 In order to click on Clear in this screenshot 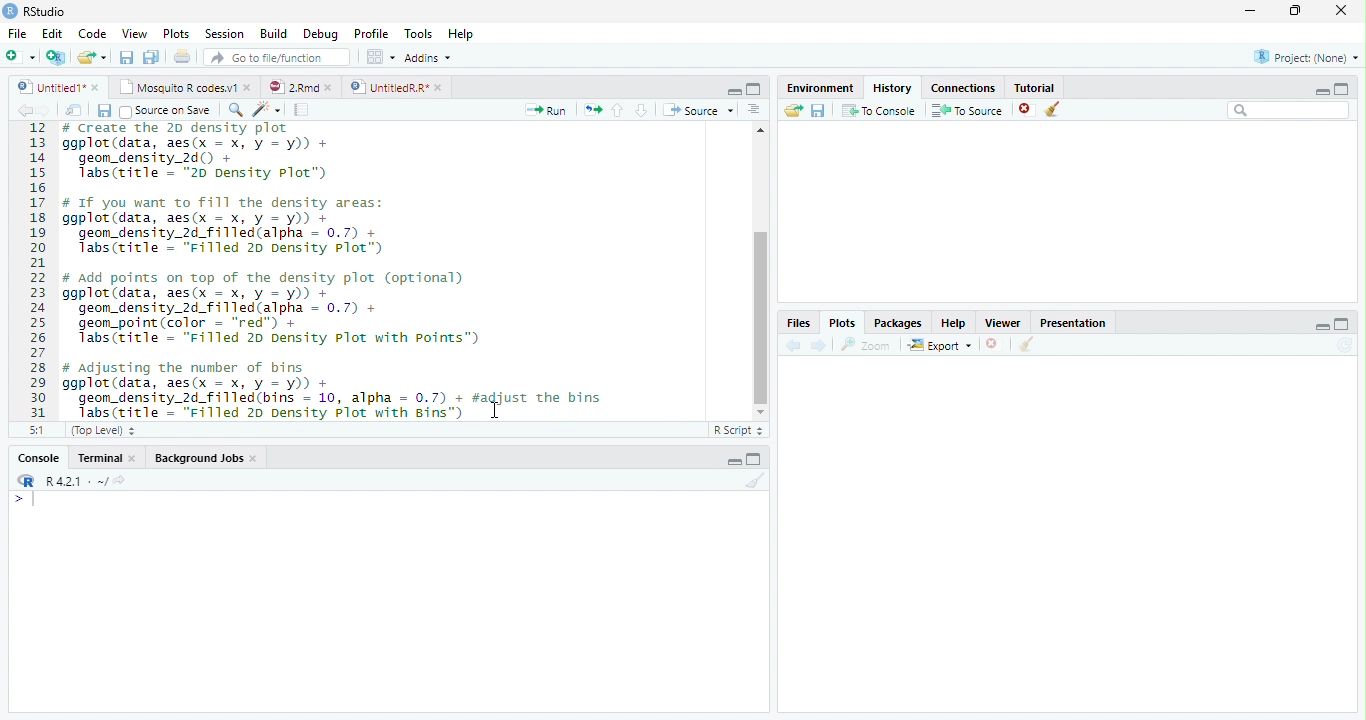, I will do `click(756, 480)`.